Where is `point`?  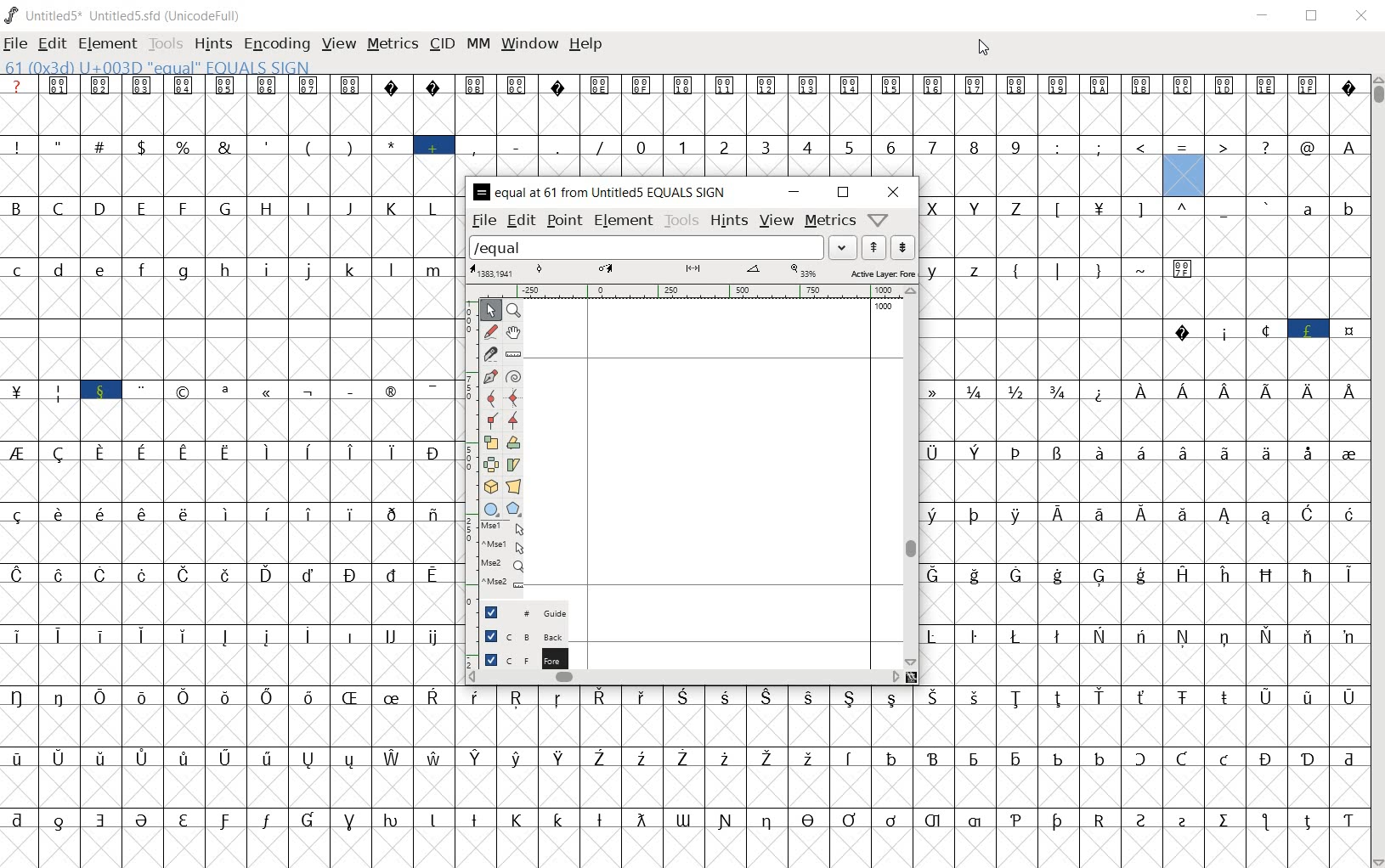 point is located at coordinates (562, 221).